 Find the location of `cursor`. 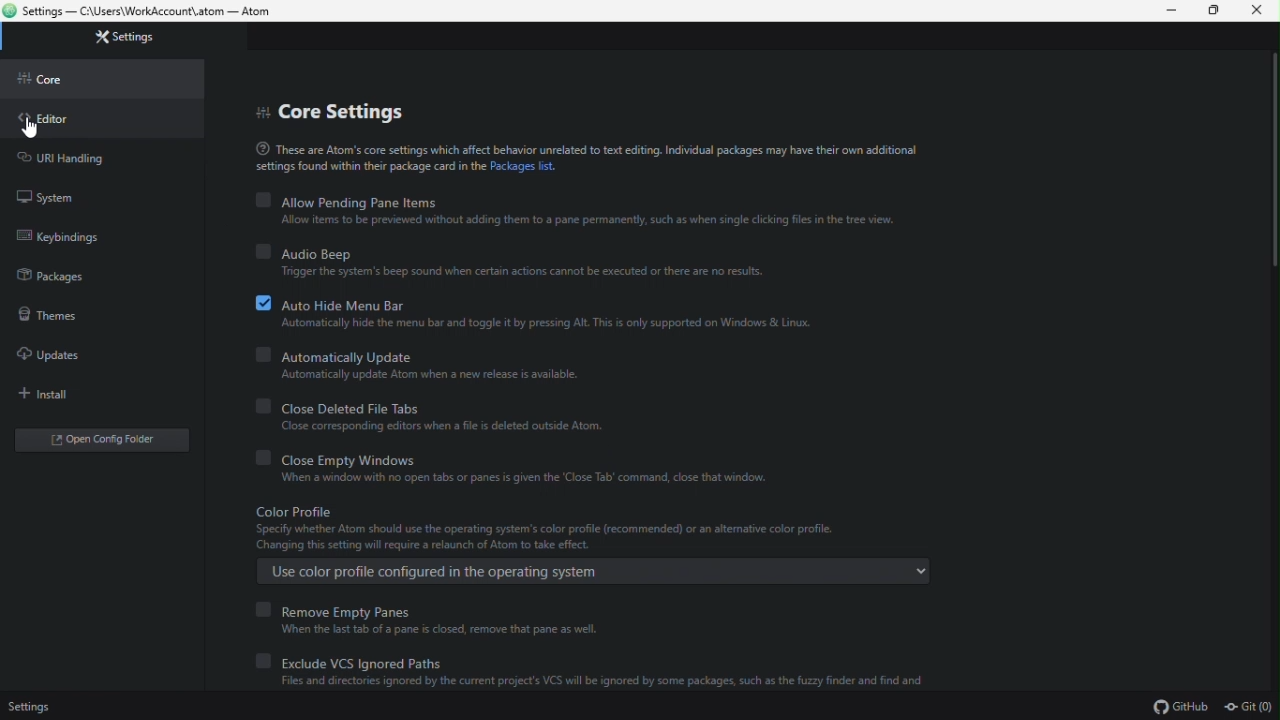

cursor is located at coordinates (35, 127).